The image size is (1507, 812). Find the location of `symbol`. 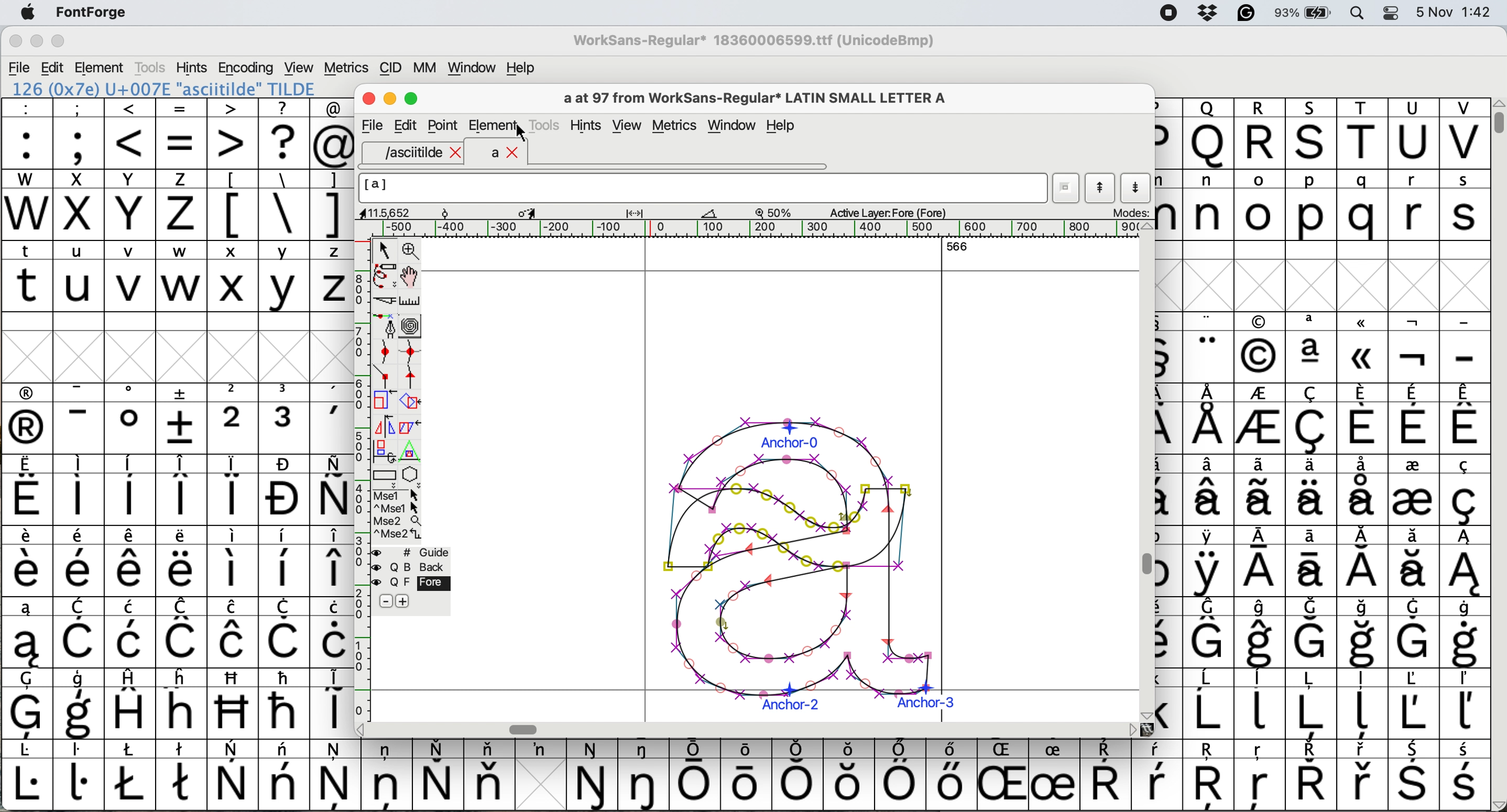

symbol is located at coordinates (1209, 632).